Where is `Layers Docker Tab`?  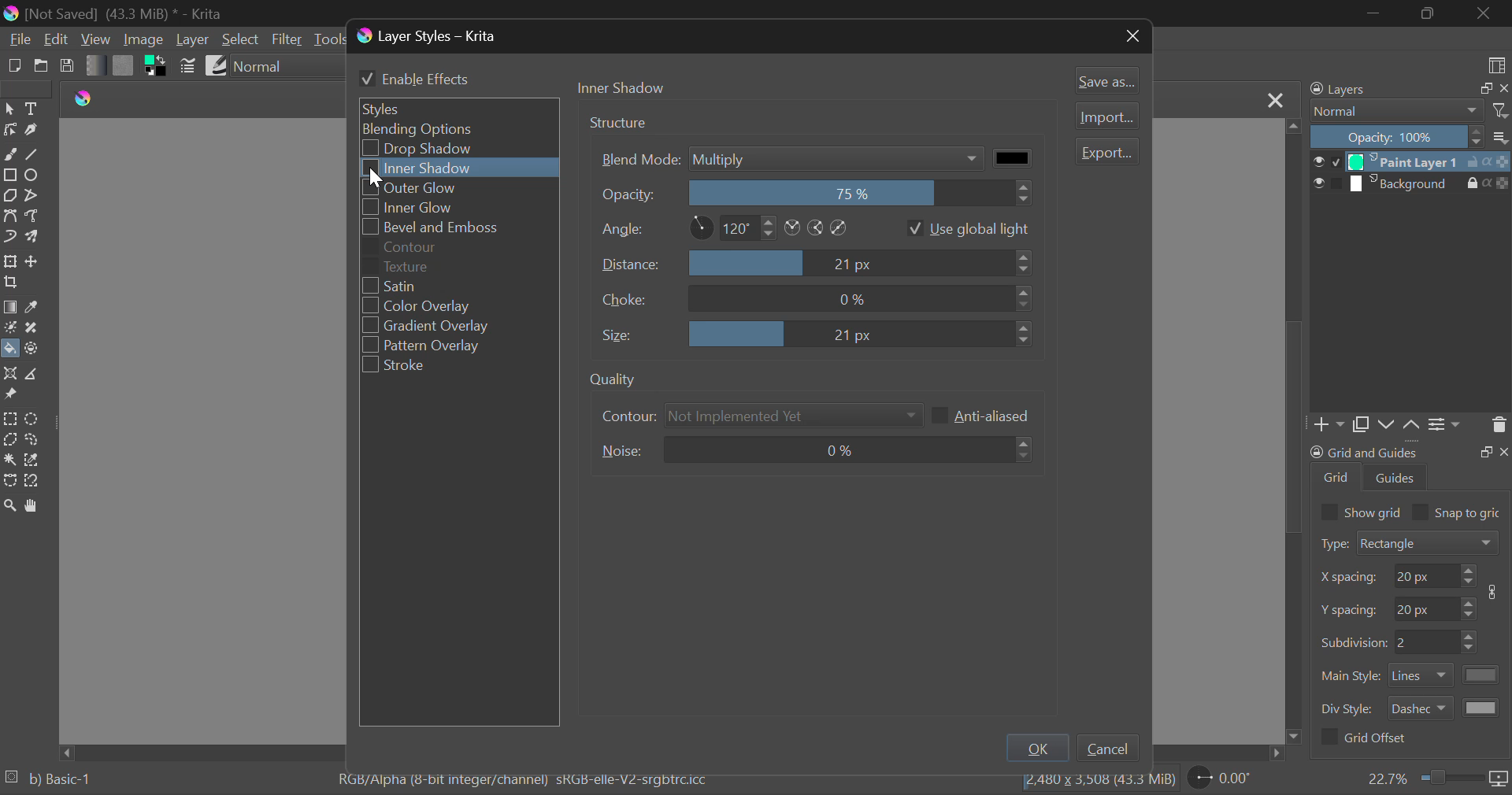
Layers Docker Tab is located at coordinates (1405, 91).